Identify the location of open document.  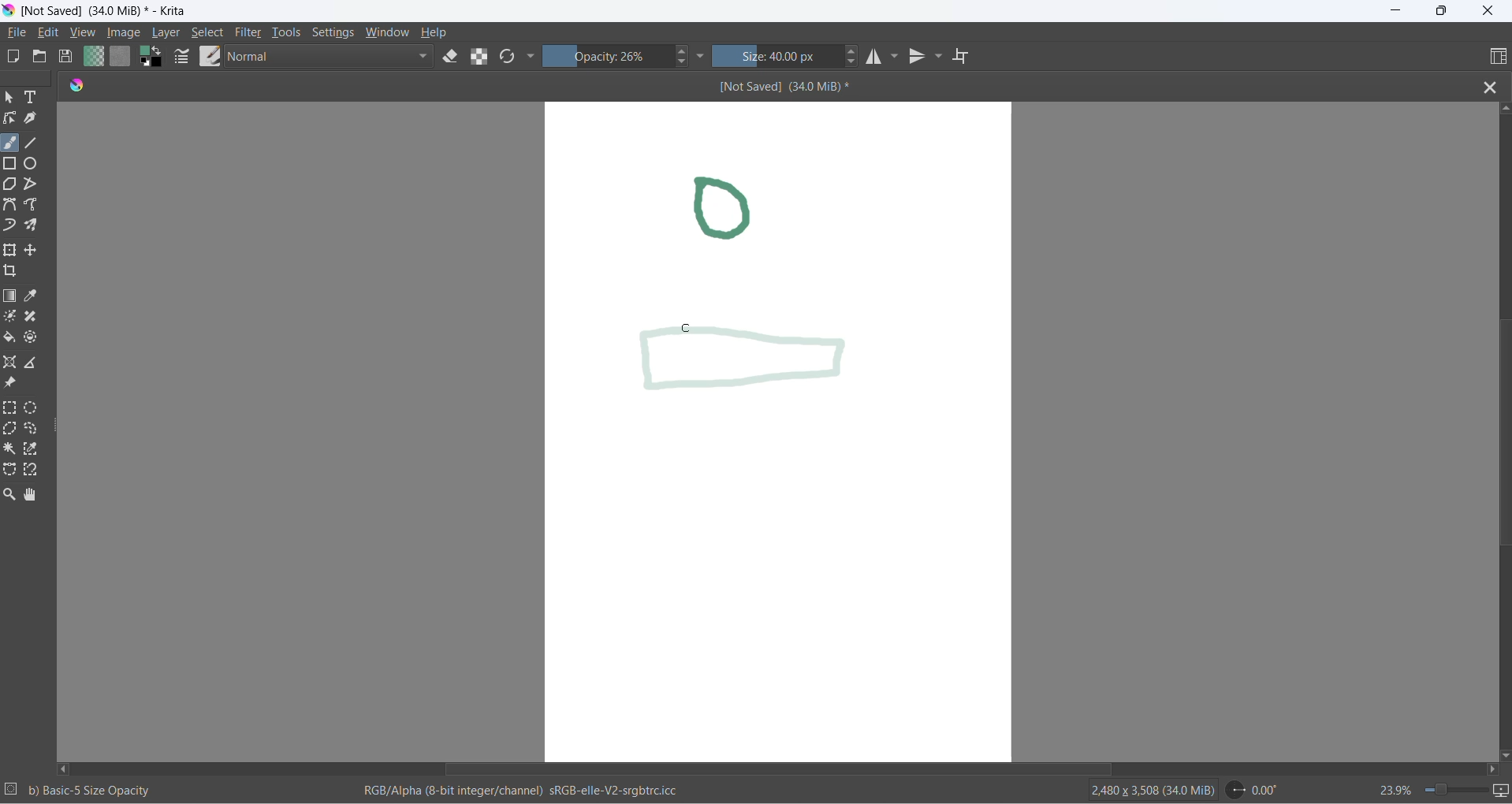
(45, 58).